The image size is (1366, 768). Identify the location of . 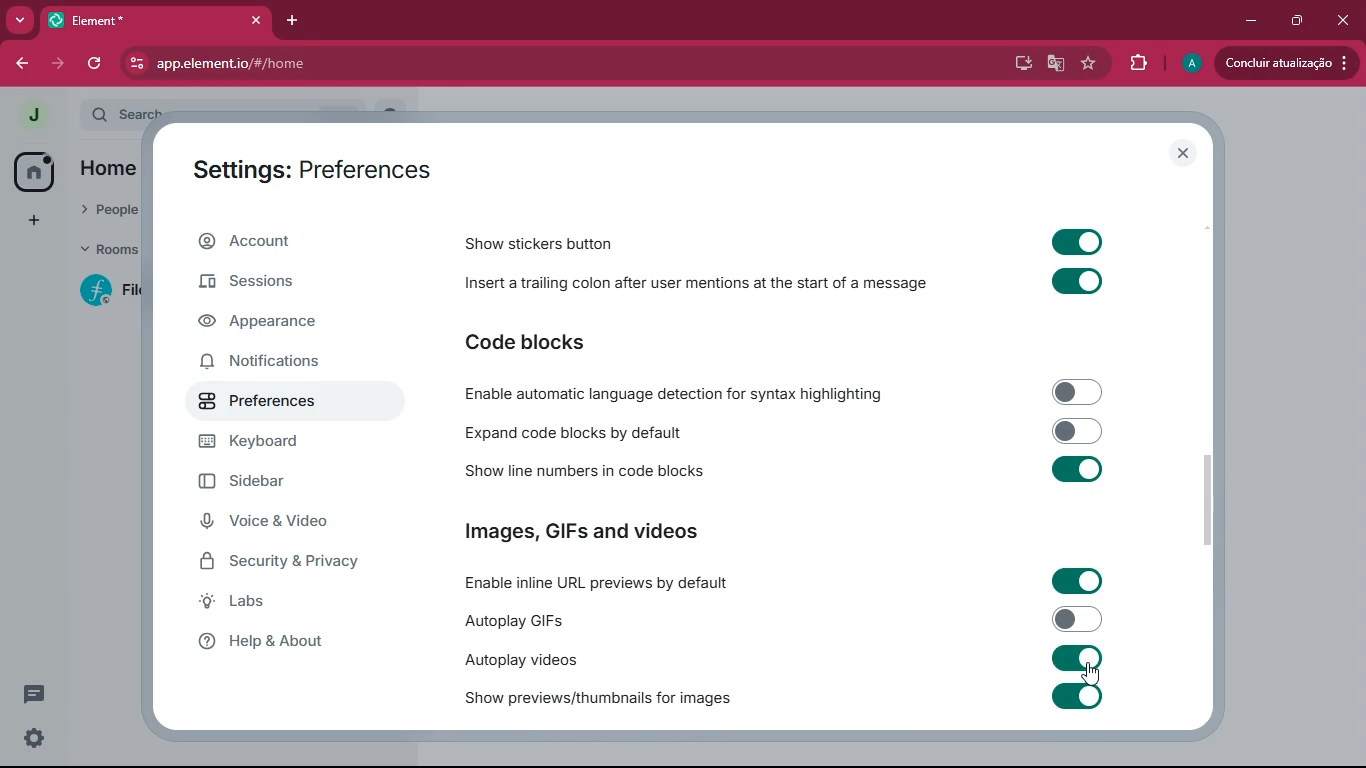
(1076, 240).